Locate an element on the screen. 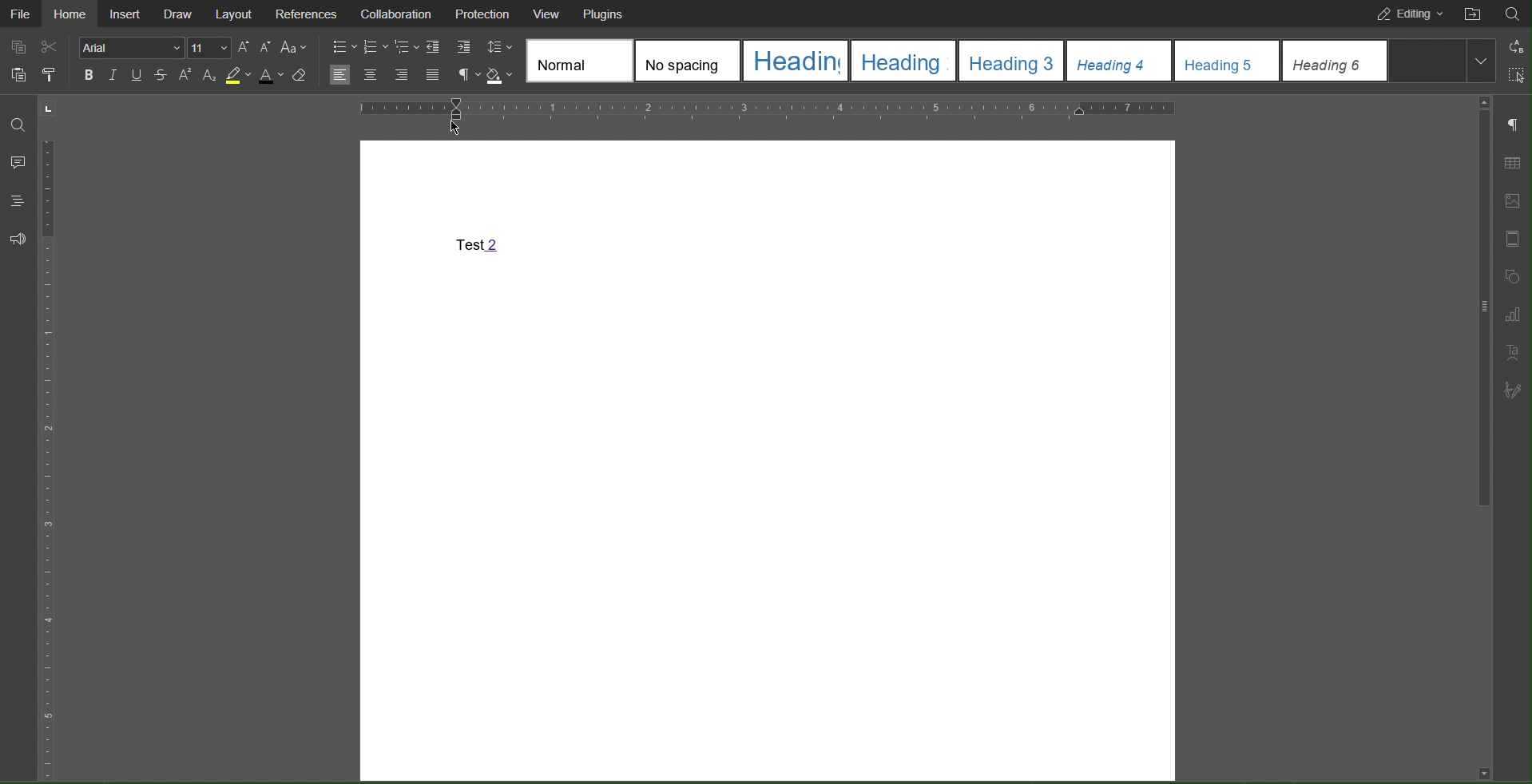 The image size is (1532, 784). Centre Align is located at coordinates (371, 74).